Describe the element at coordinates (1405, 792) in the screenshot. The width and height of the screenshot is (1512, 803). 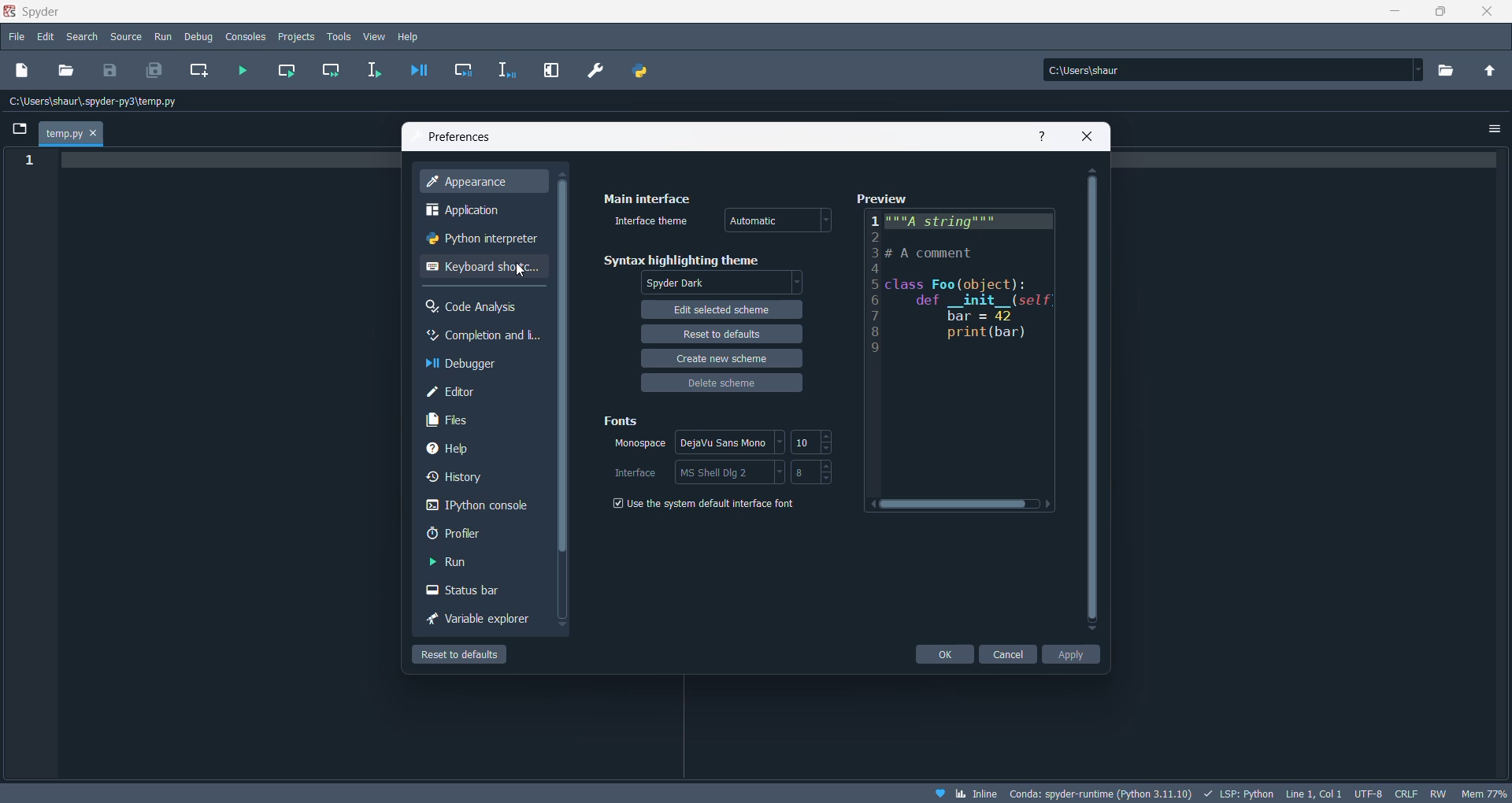
I see `file EOL status` at that location.